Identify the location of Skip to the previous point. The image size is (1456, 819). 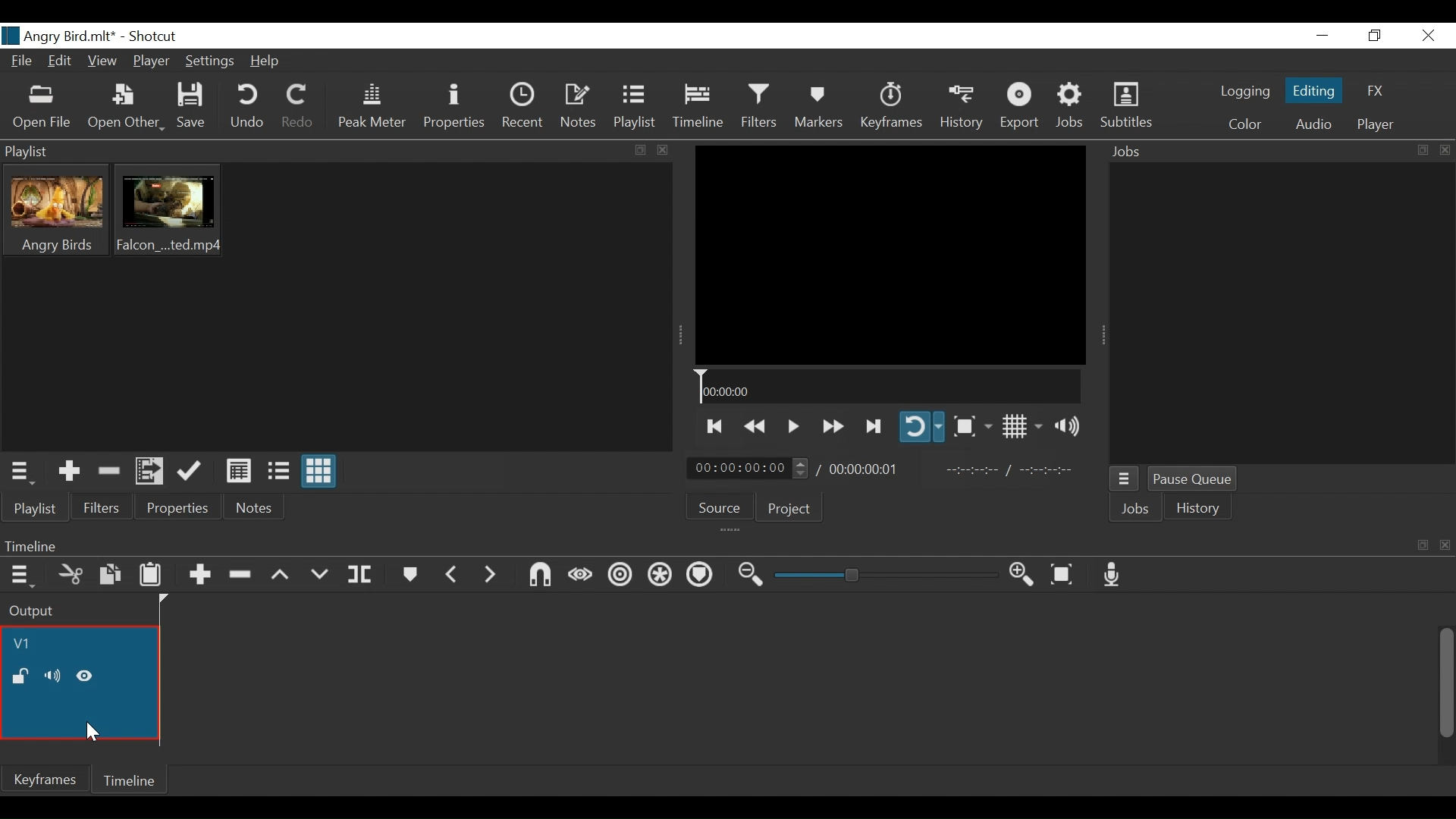
(717, 426).